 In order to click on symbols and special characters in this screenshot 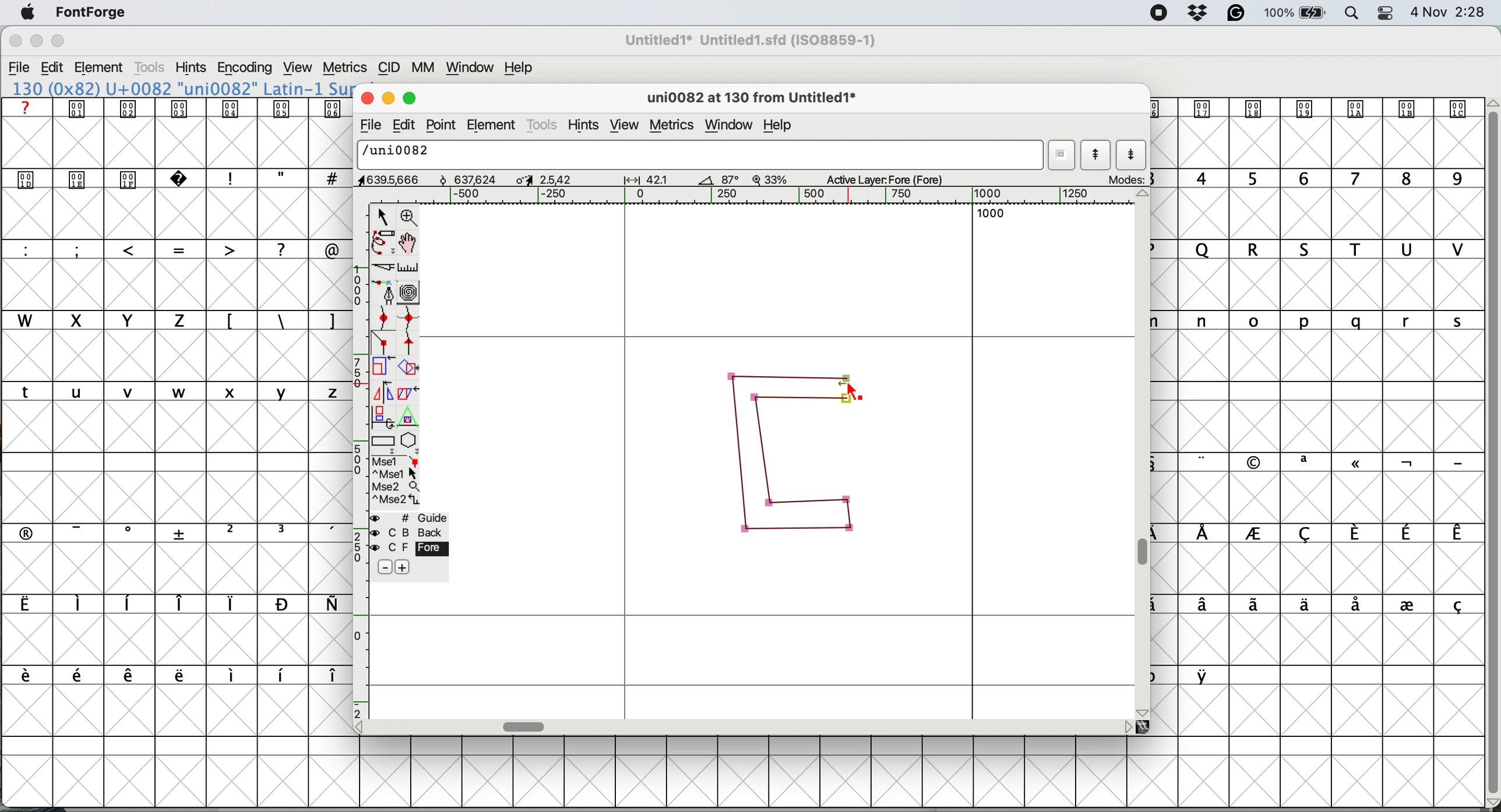, I will do `click(185, 180)`.